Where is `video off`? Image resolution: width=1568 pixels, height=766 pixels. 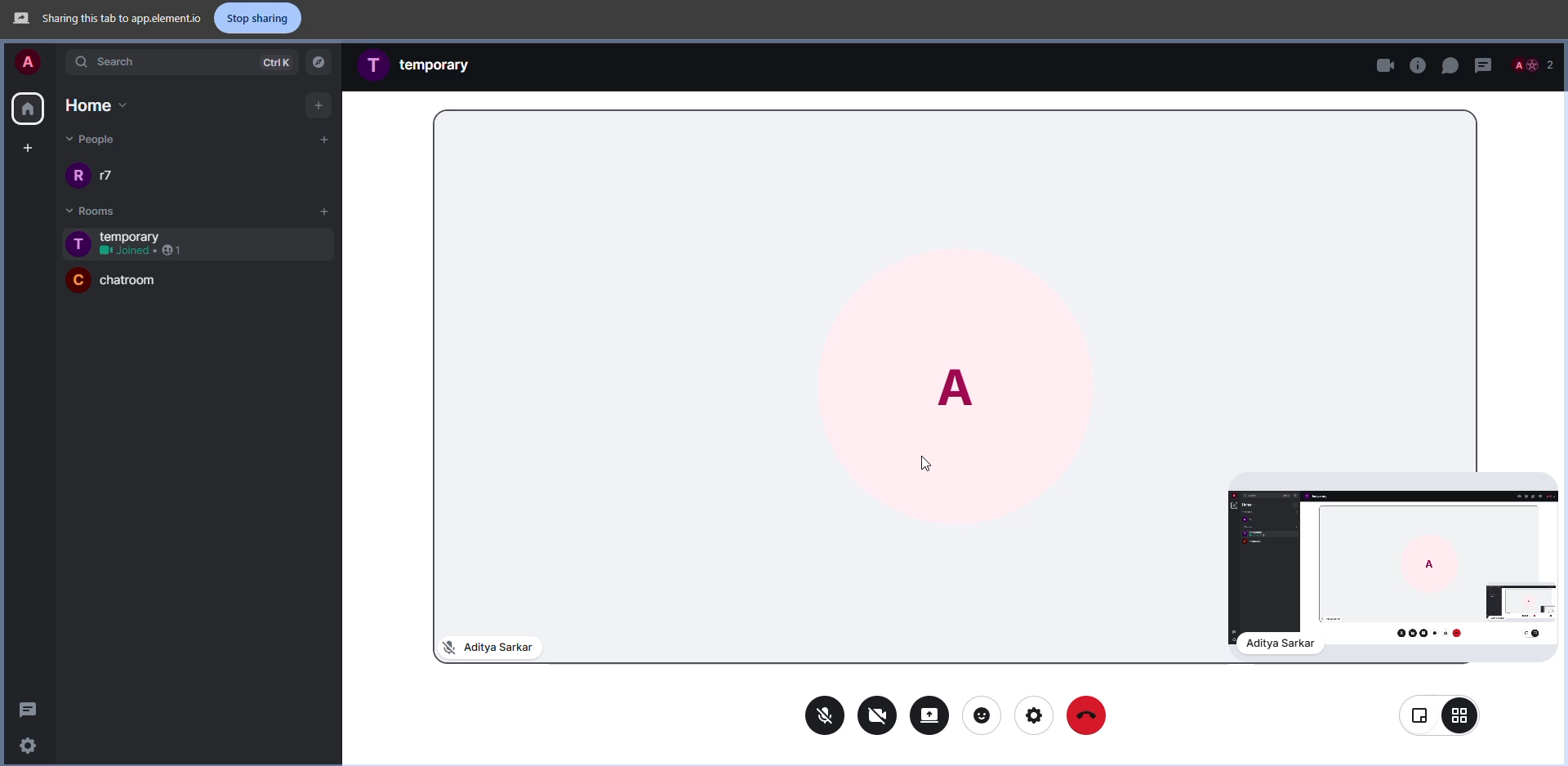 video off is located at coordinates (878, 714).